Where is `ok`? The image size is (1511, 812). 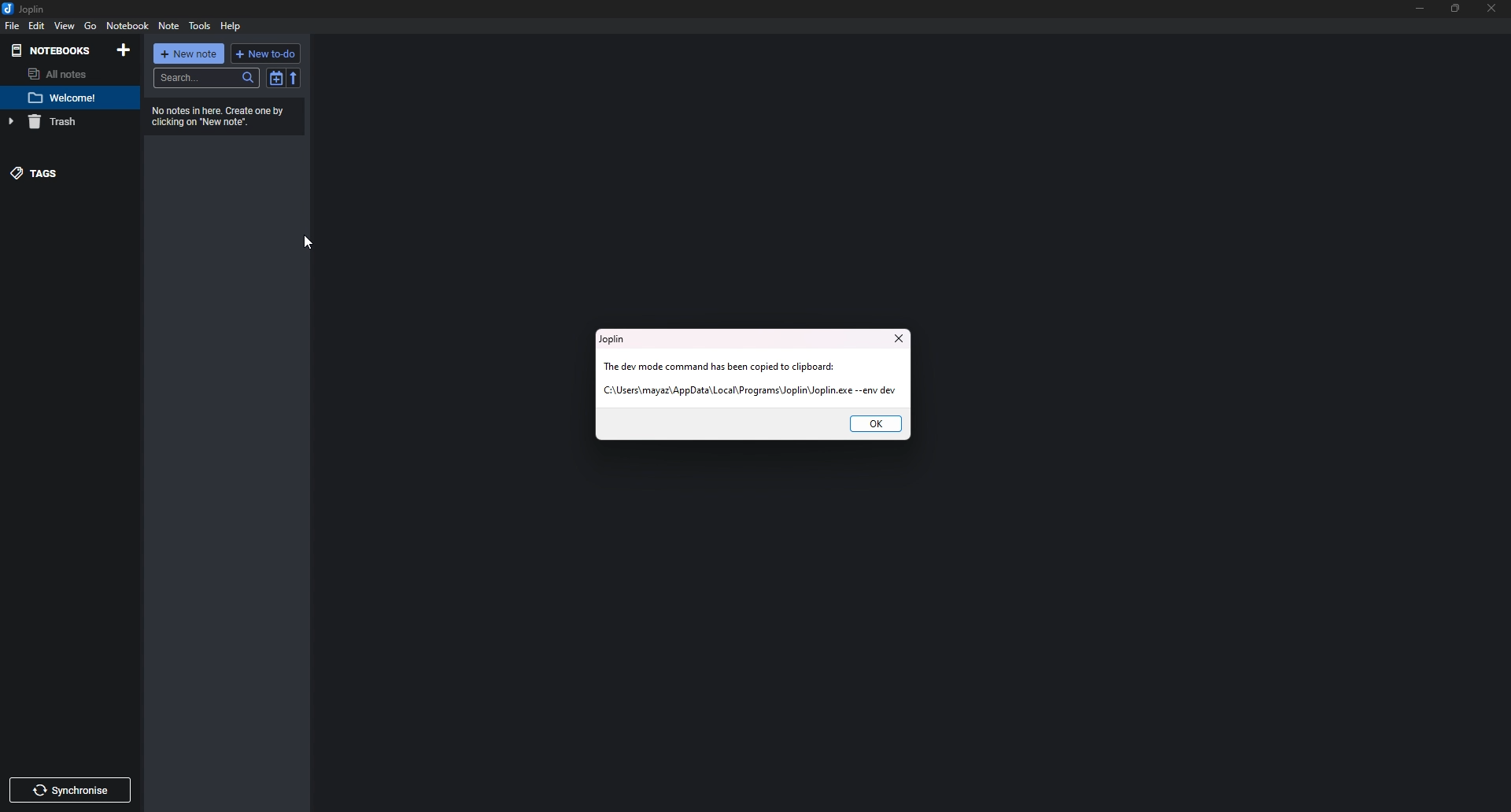 ok is located at coordinates (875, 424).